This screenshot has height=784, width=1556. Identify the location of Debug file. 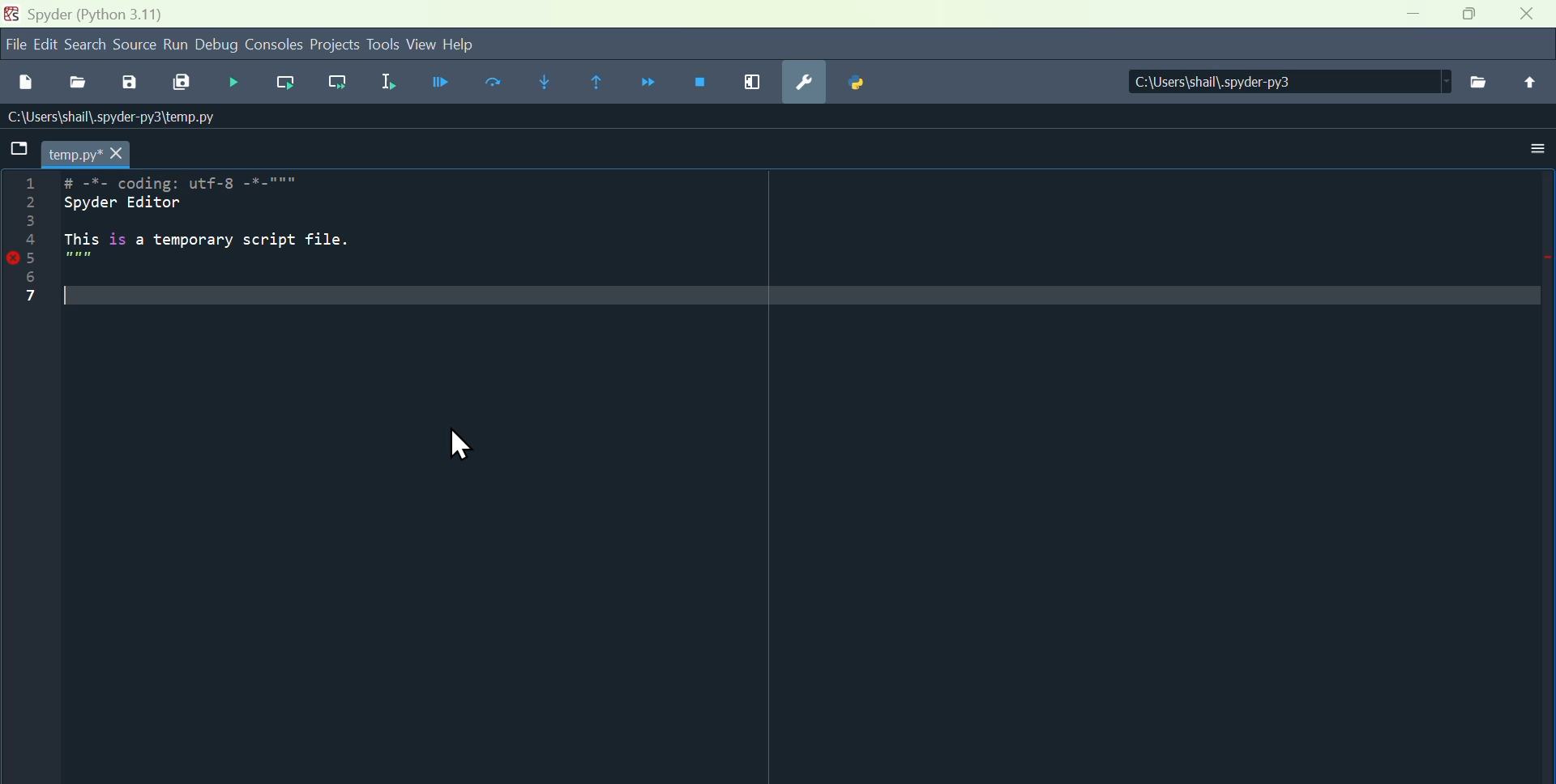
(233, 82).